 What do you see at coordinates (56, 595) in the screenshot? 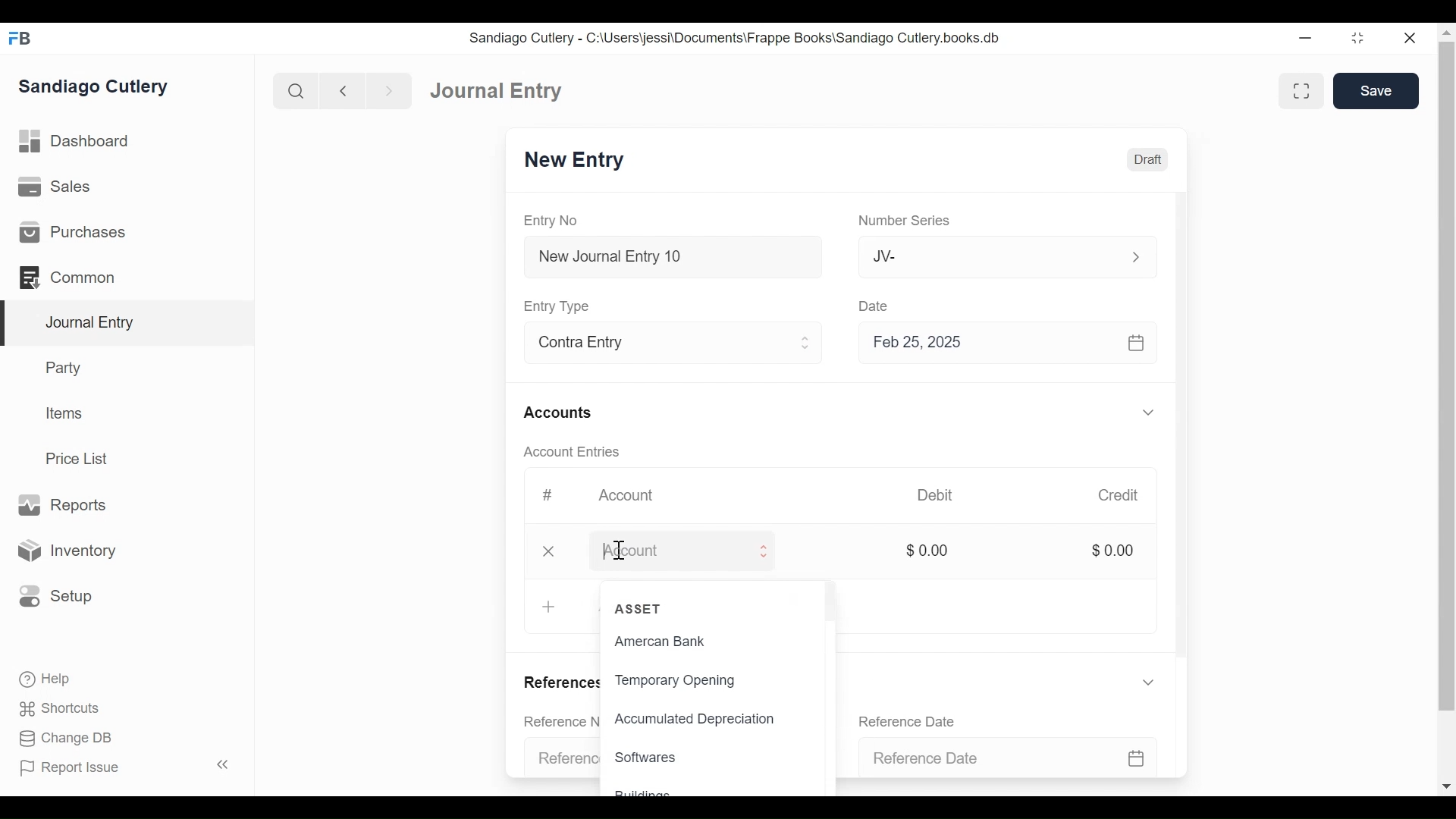
I see `Setup` at bounding box center [56, 595].